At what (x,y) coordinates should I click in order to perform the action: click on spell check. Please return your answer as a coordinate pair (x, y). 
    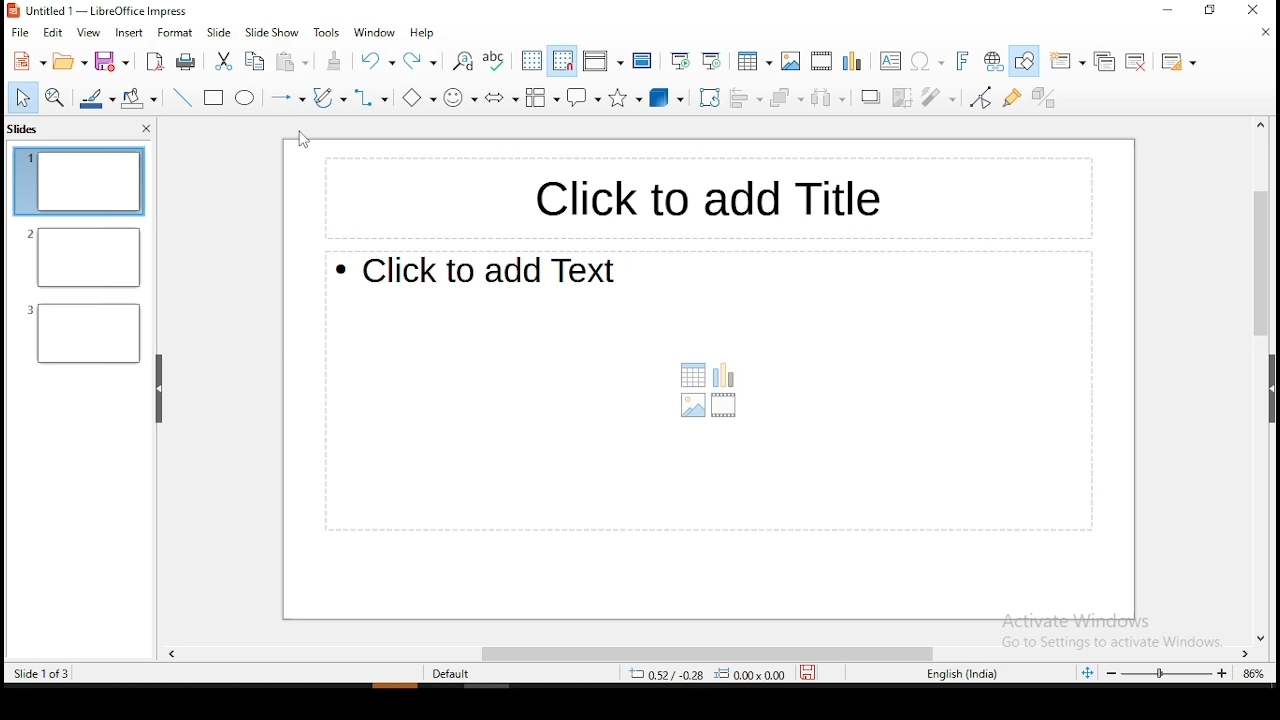
    Looking at the image, I should click on (498, 63).